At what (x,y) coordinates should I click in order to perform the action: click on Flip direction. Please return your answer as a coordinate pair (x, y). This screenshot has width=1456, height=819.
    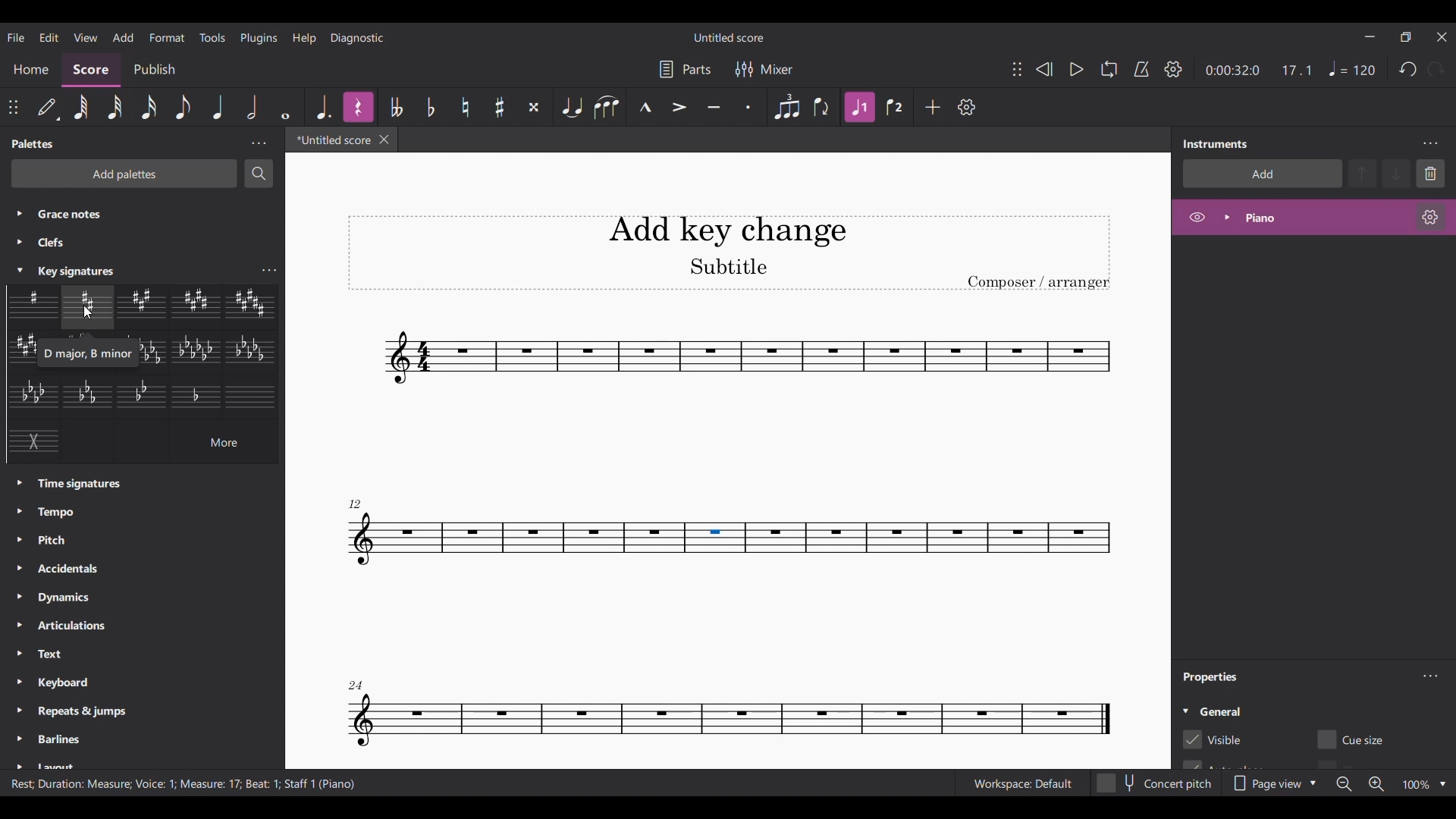
    Looking at the image, I should click on (821, 106).